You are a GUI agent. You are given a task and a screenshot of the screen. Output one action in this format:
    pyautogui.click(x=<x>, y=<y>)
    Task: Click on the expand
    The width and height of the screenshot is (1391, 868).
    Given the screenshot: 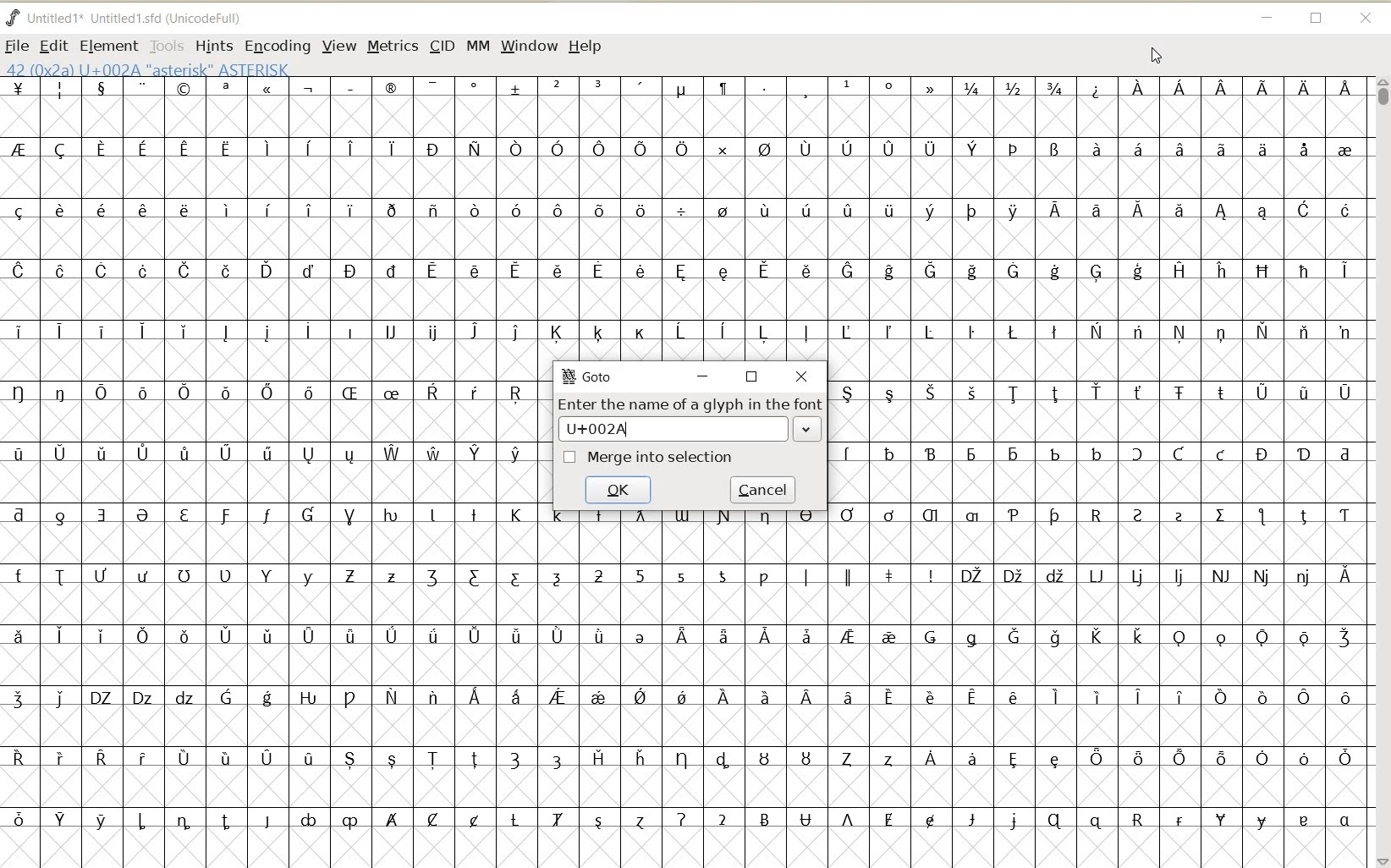 What is the action you would take?
    pyautogui.click(x=806, y=431)
    